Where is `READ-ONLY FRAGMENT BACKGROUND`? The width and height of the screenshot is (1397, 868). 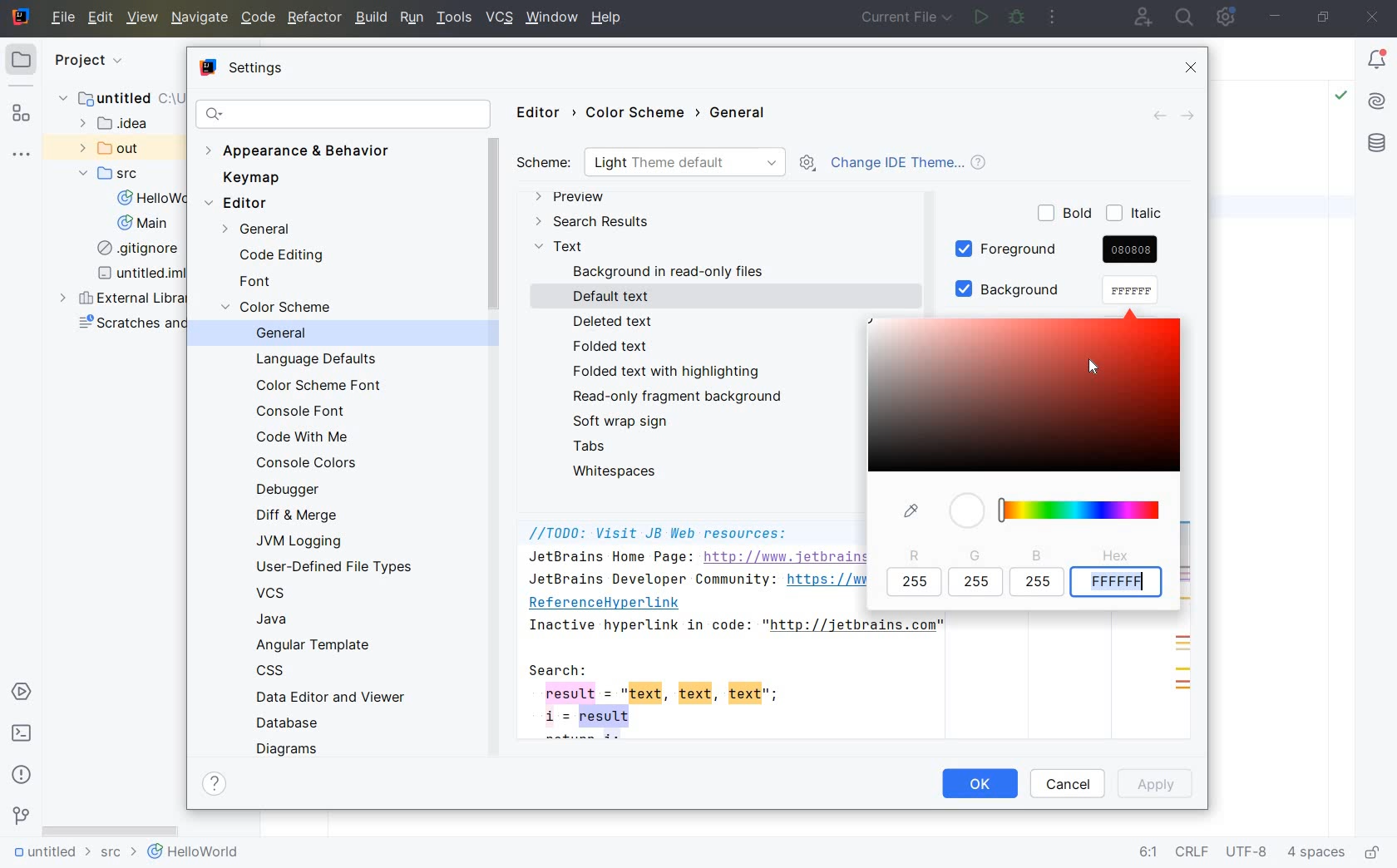 READ-ONLY FRAGMENT BACKGROUND is located at coordinates (674, 397).